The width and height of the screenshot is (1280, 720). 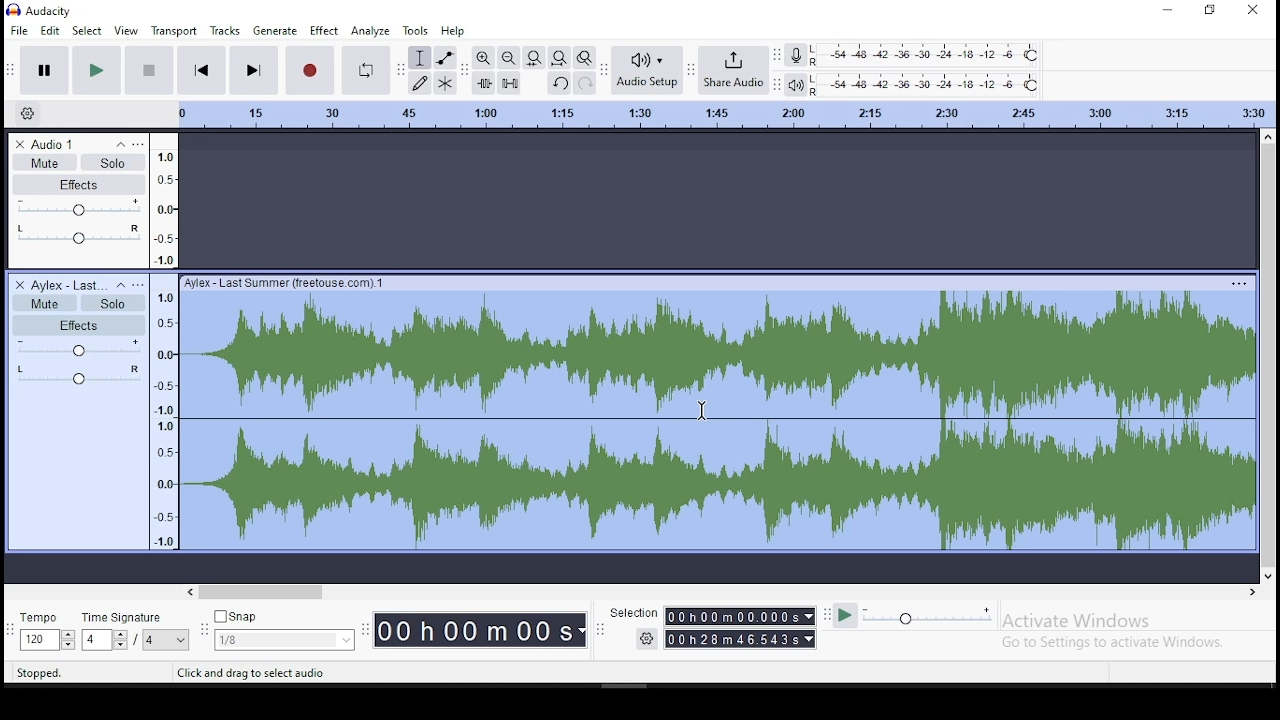 What do you see at coordinates (19, 30) in the screenshot?
I see `file` at bounding box center [19, 30].